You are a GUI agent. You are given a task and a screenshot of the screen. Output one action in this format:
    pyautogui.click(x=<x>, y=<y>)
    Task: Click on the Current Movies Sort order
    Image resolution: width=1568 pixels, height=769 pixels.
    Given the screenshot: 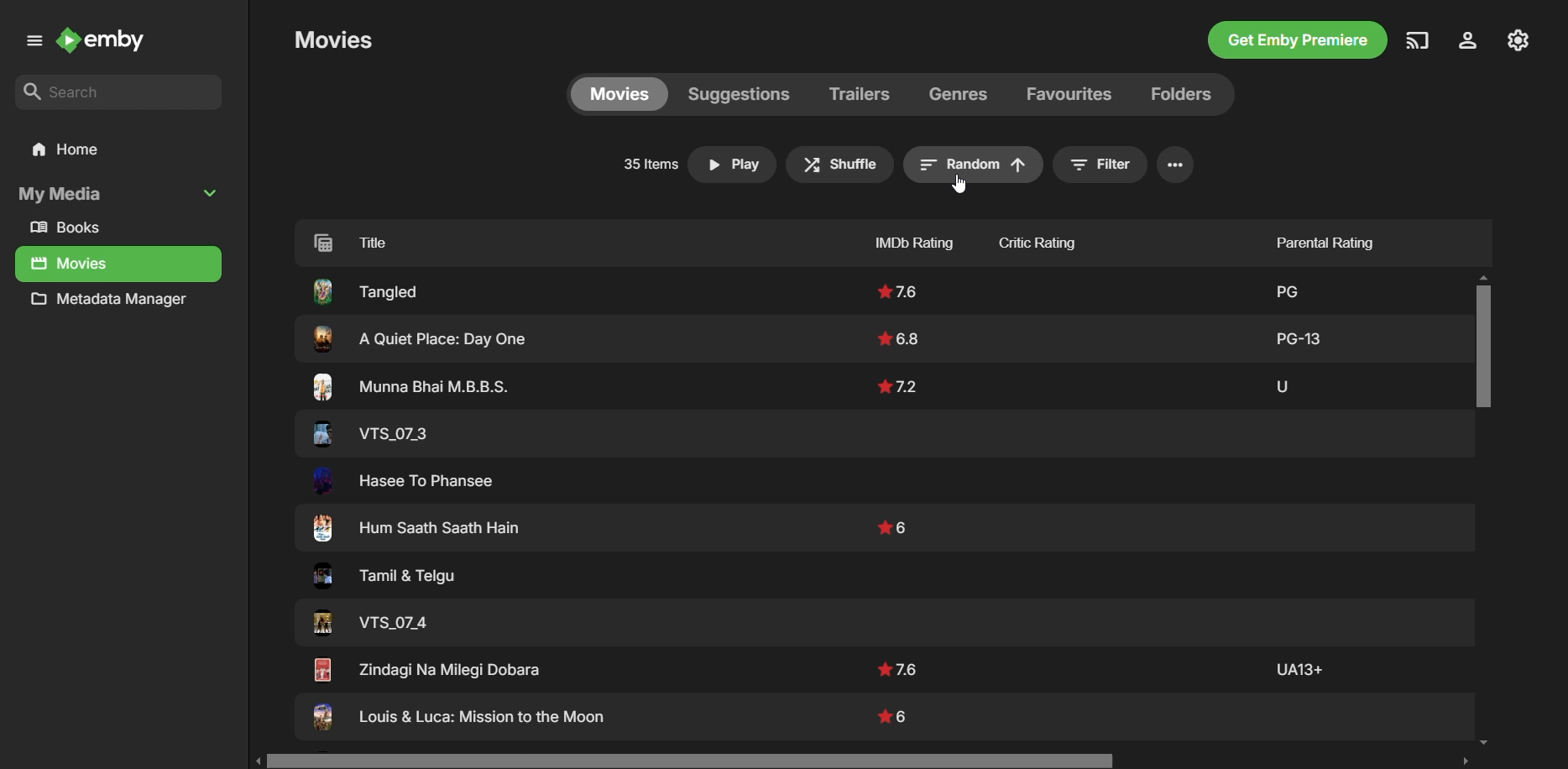 What is the action you would take?
    pyautogui.click(x=971, y=165)
    